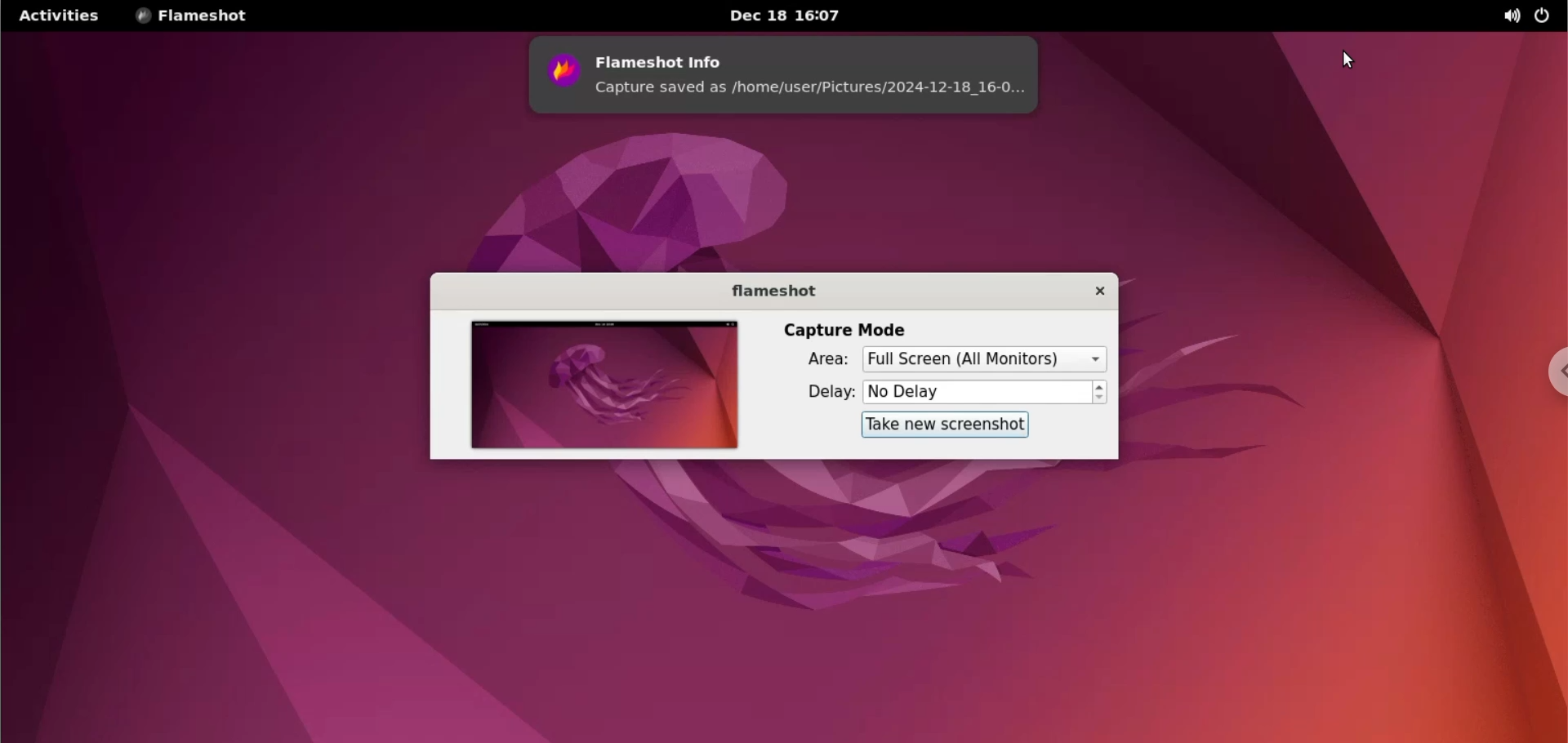  What do you see at coordinates (1516, 17) in the screenshot?
I see `sound control` at bounding box center [1516, 17].